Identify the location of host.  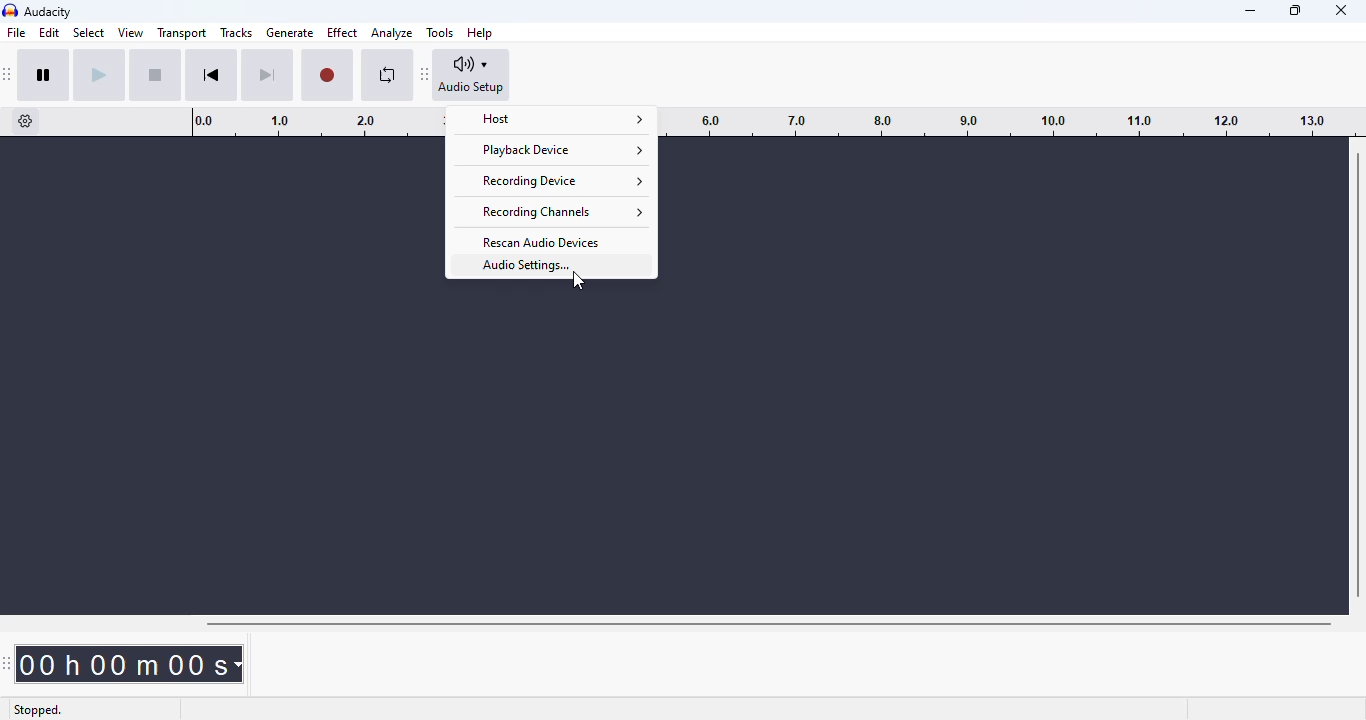
(550, 119).